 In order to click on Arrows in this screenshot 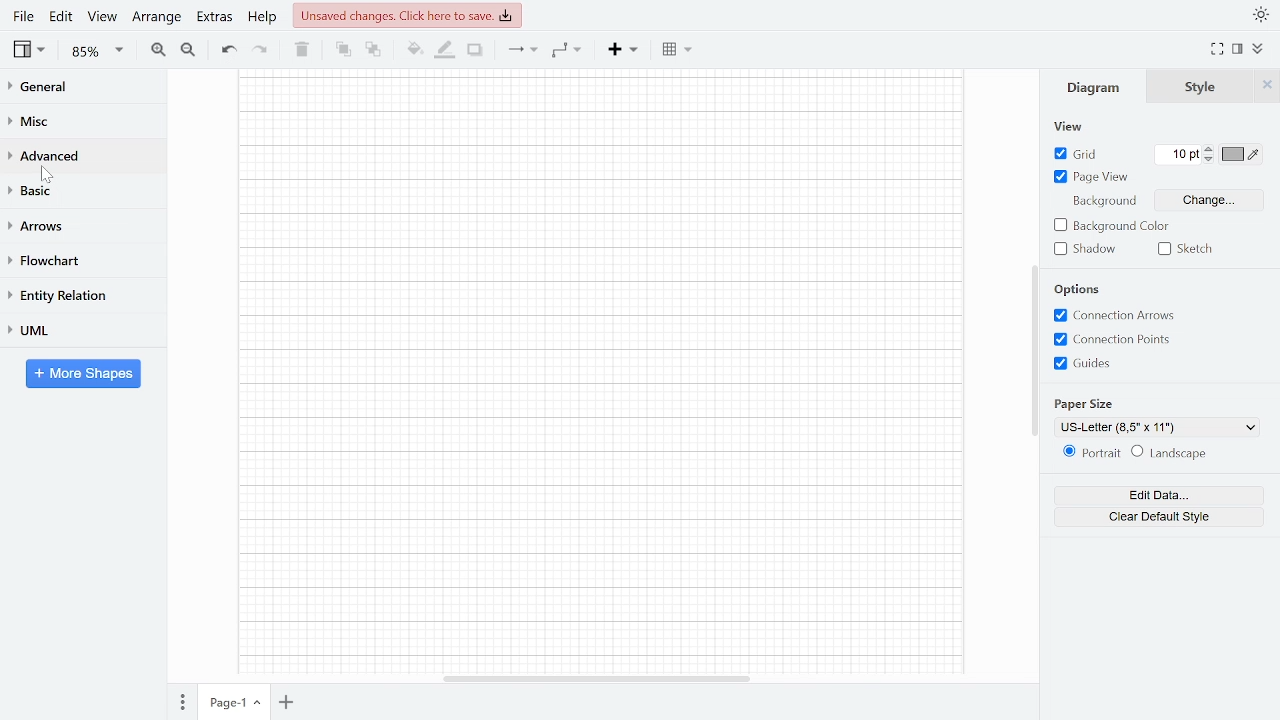, I will do `click(82, 225)`.